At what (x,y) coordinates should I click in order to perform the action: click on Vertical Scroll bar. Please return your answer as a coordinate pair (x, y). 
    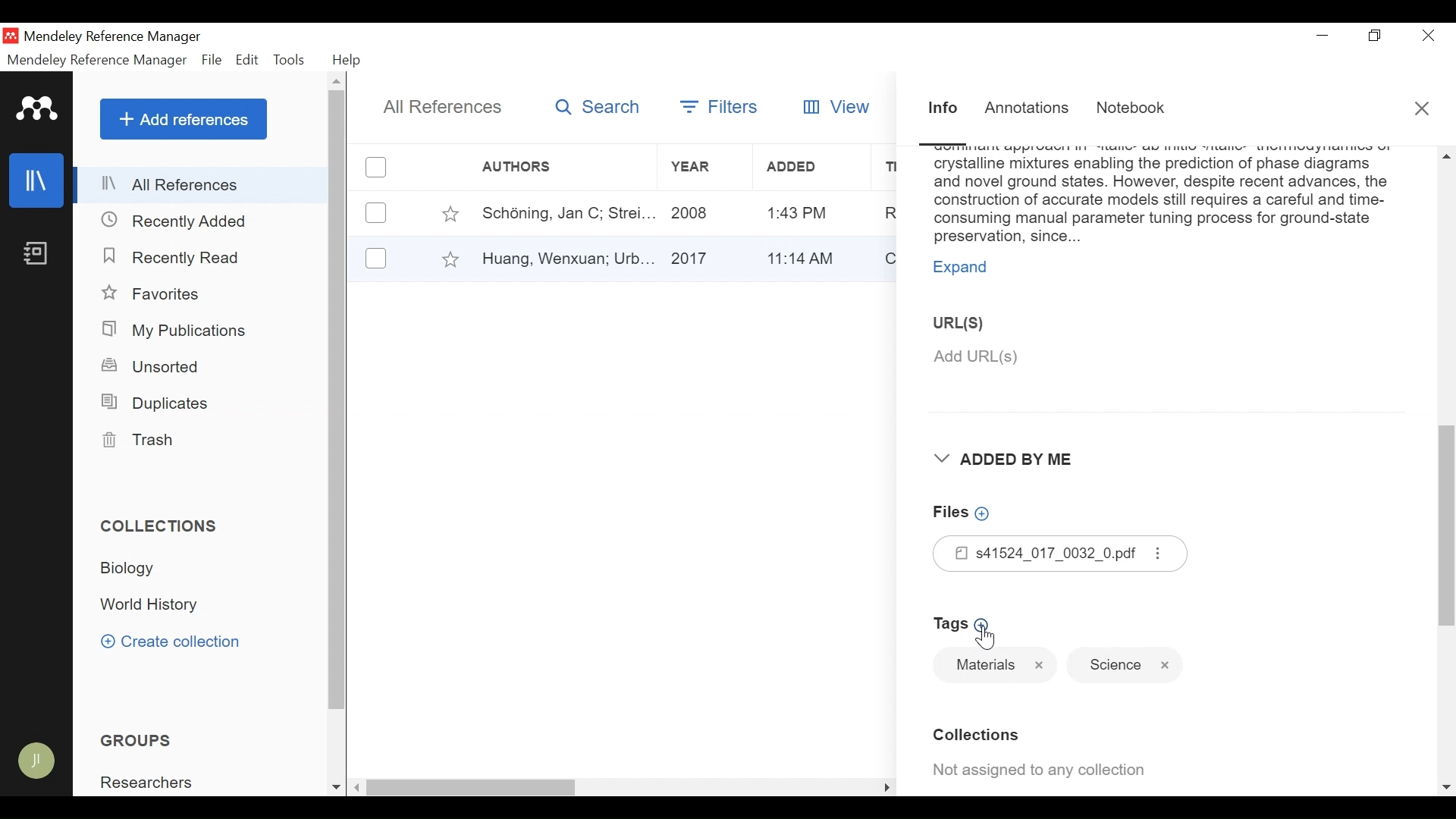
    Looking at the image, I should click on (474, 789).